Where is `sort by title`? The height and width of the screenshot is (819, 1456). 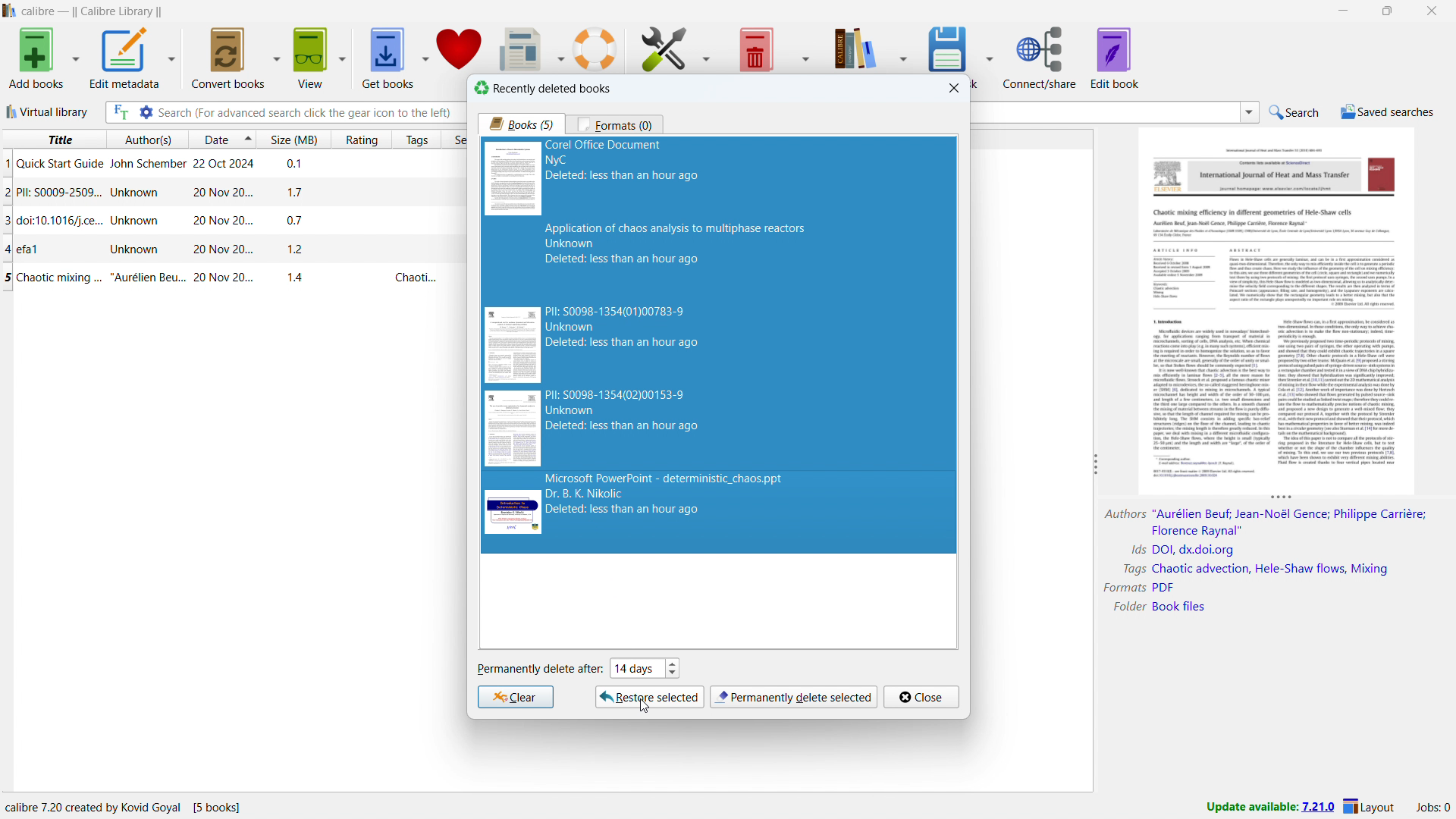
sort by title is located at coordinates (52, 139).